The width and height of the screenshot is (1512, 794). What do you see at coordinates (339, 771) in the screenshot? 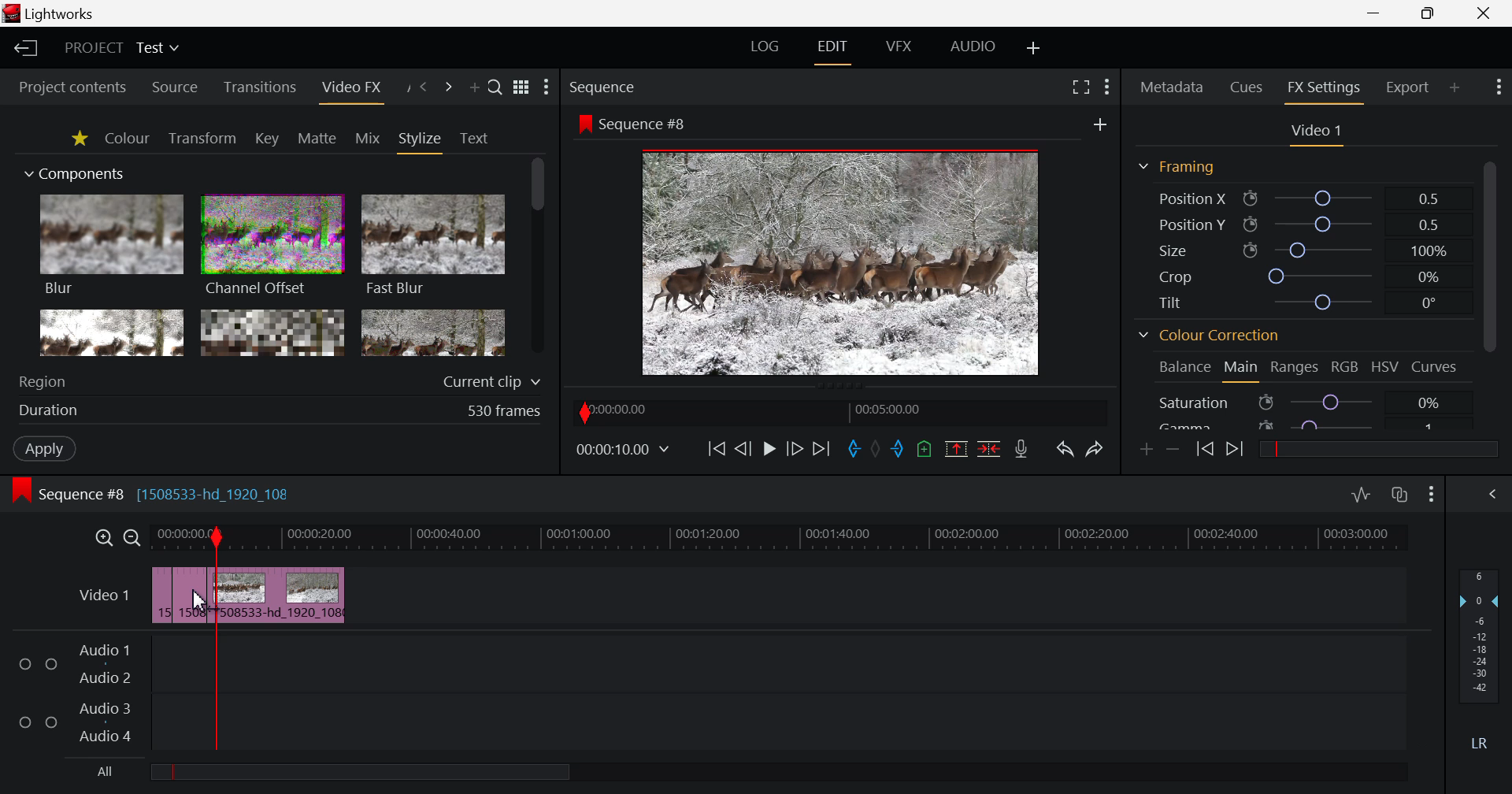
I see `All` at bounding box center [339, 771].